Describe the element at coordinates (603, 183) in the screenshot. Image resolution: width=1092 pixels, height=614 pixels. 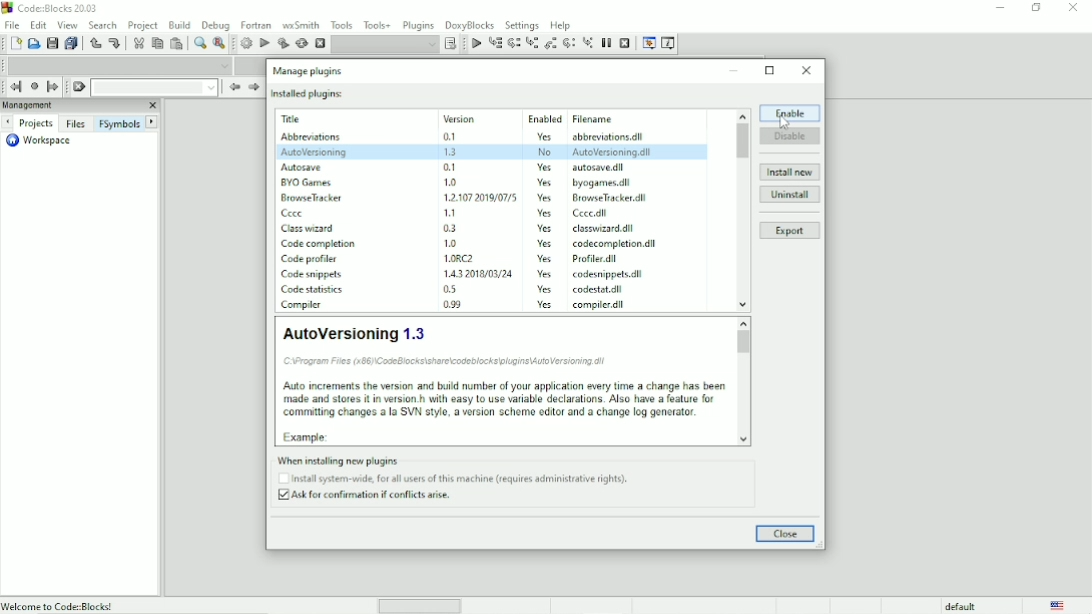
I see `file` at that location.